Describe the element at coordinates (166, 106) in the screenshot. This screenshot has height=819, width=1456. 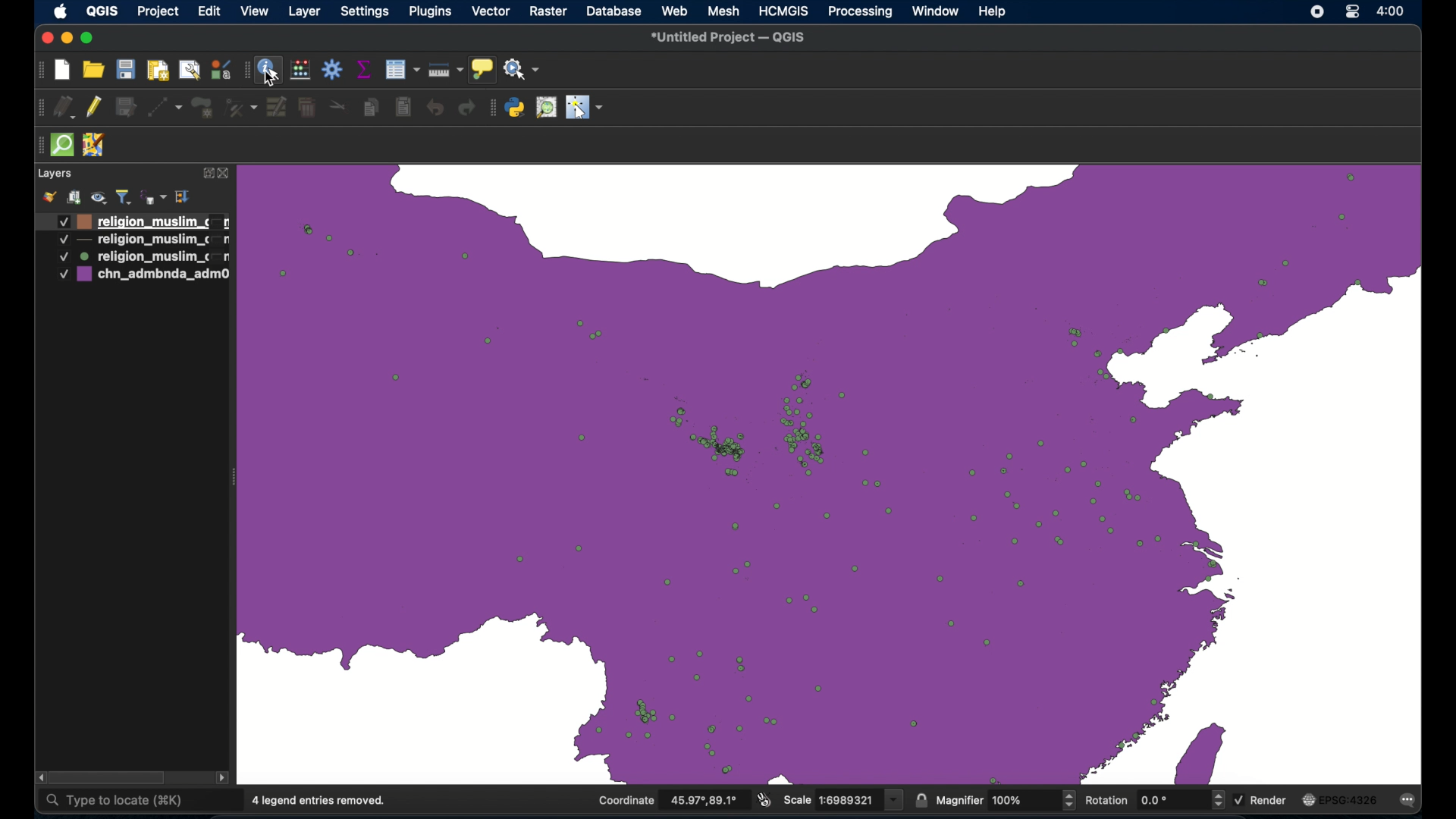
I see `digitize with segment` at that location.